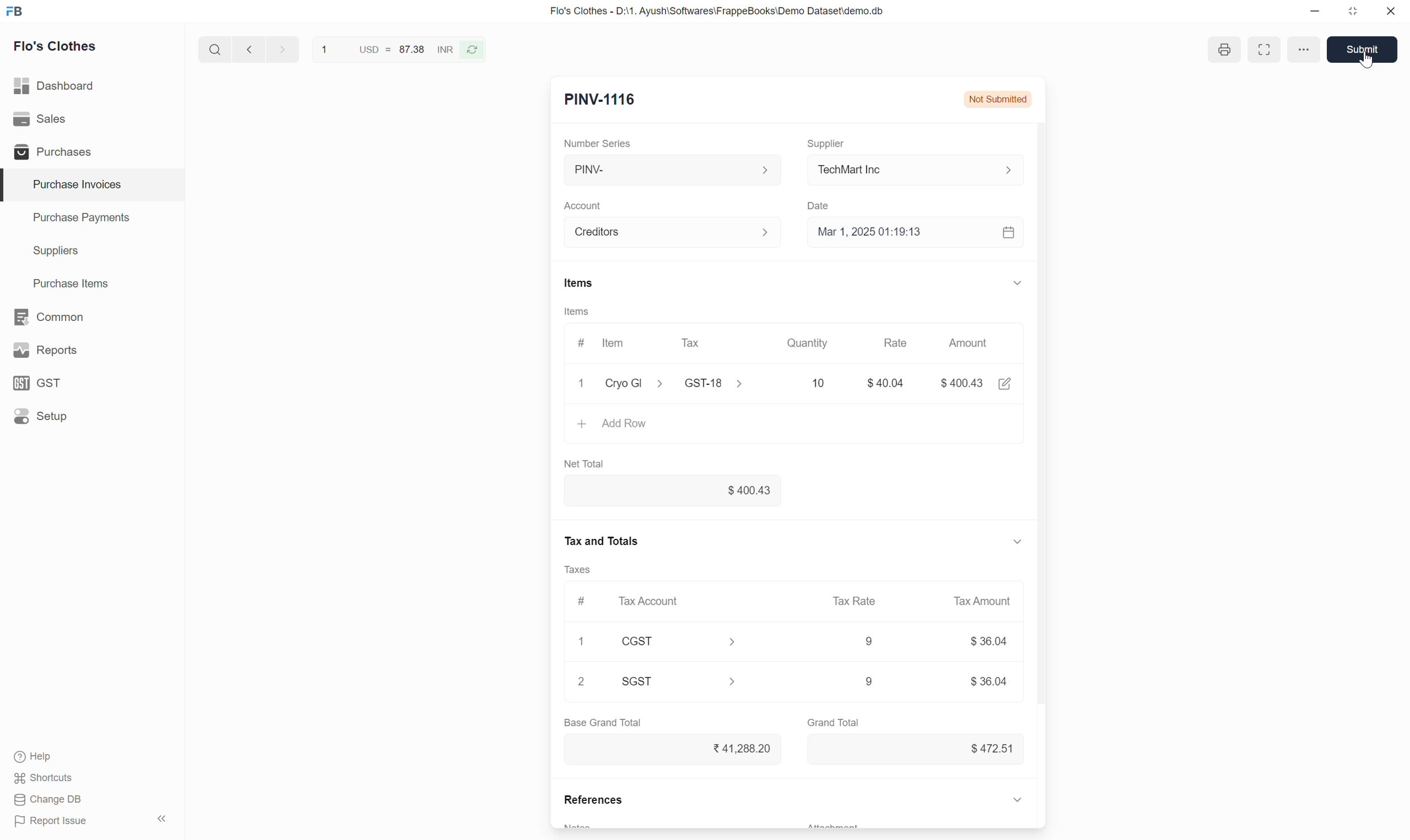 This screenshot has height=840, width=1410. Describe the element at coordinates (740, 747) in the screenshot. I see `Rs. 4,128.82` at that location.